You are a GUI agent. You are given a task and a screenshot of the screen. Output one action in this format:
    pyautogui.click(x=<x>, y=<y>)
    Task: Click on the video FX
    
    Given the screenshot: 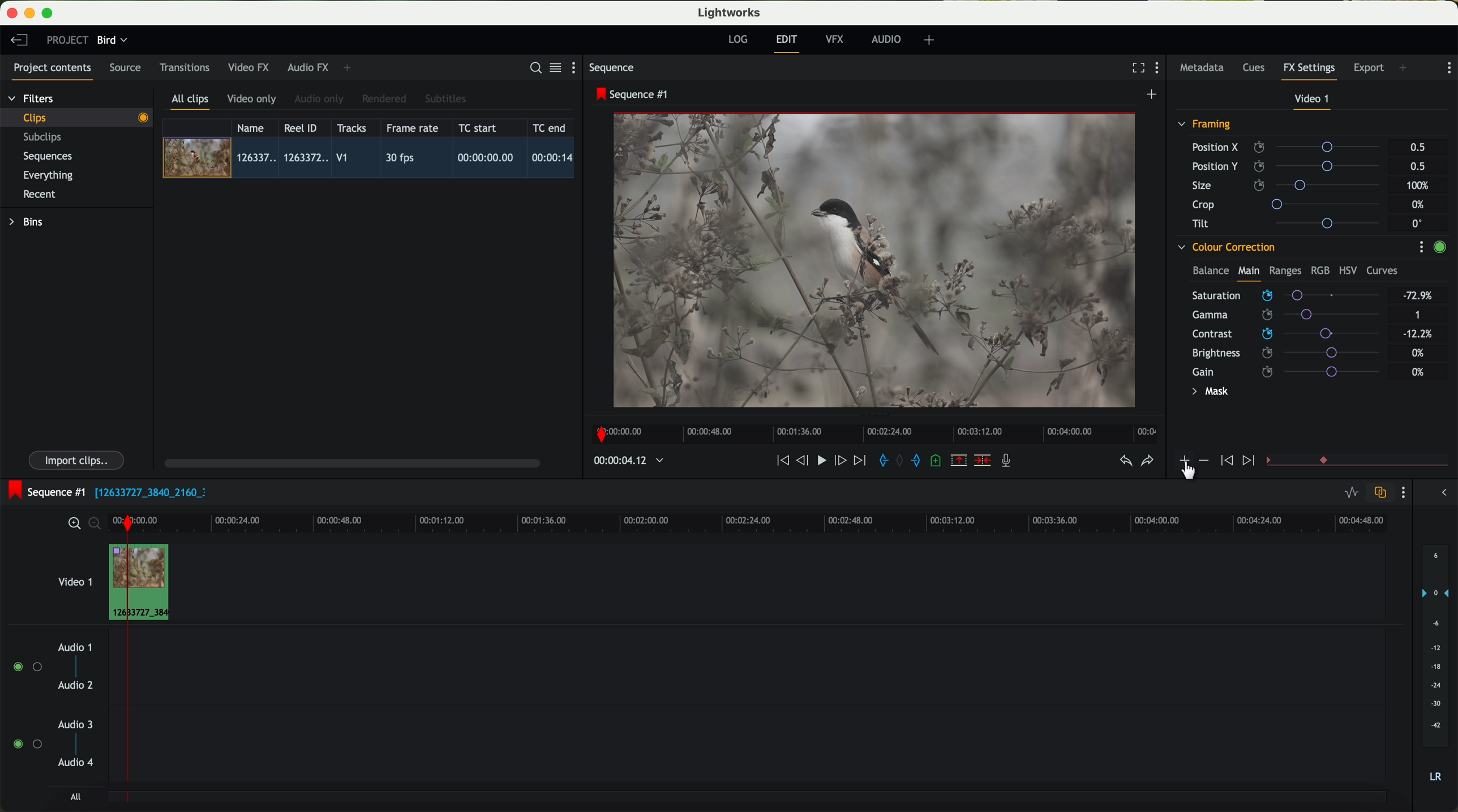 What is the action you would take?
    pyautogui.click(x=251, y=67)
    